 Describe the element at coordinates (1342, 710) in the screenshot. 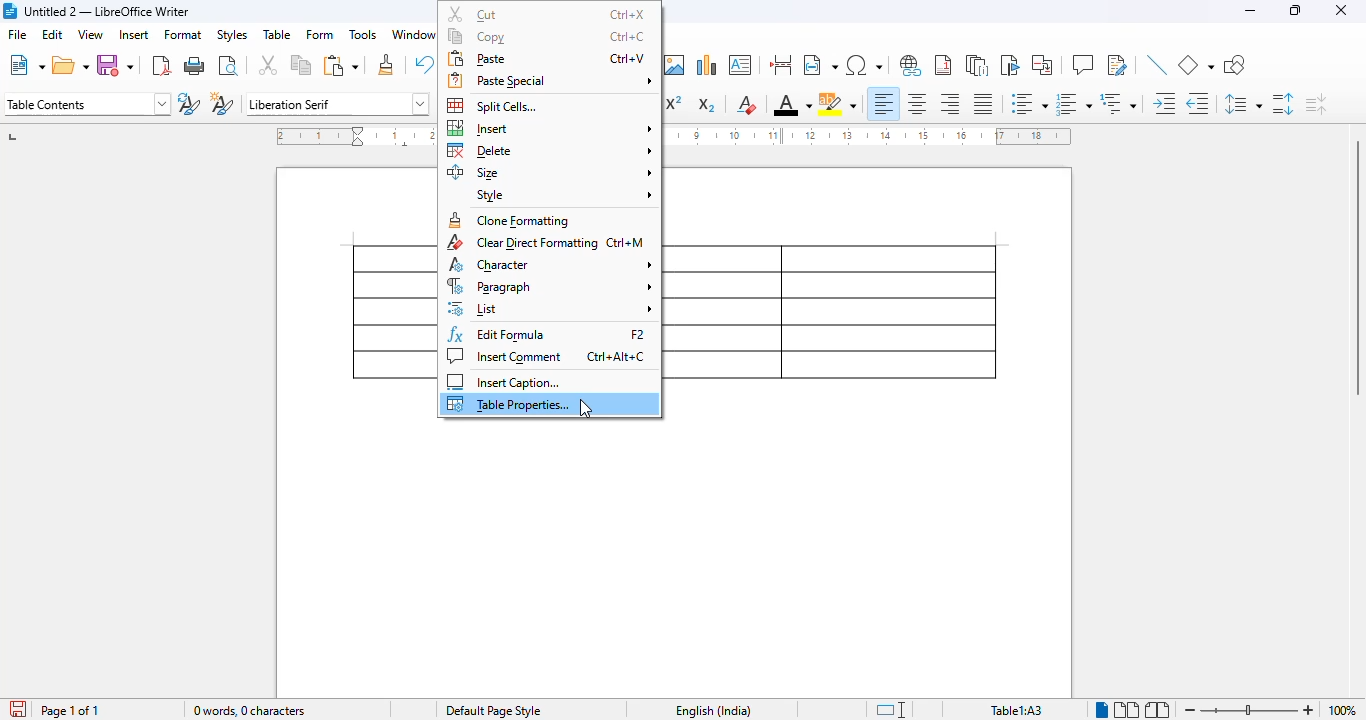

I see `zoom factor` at that location.